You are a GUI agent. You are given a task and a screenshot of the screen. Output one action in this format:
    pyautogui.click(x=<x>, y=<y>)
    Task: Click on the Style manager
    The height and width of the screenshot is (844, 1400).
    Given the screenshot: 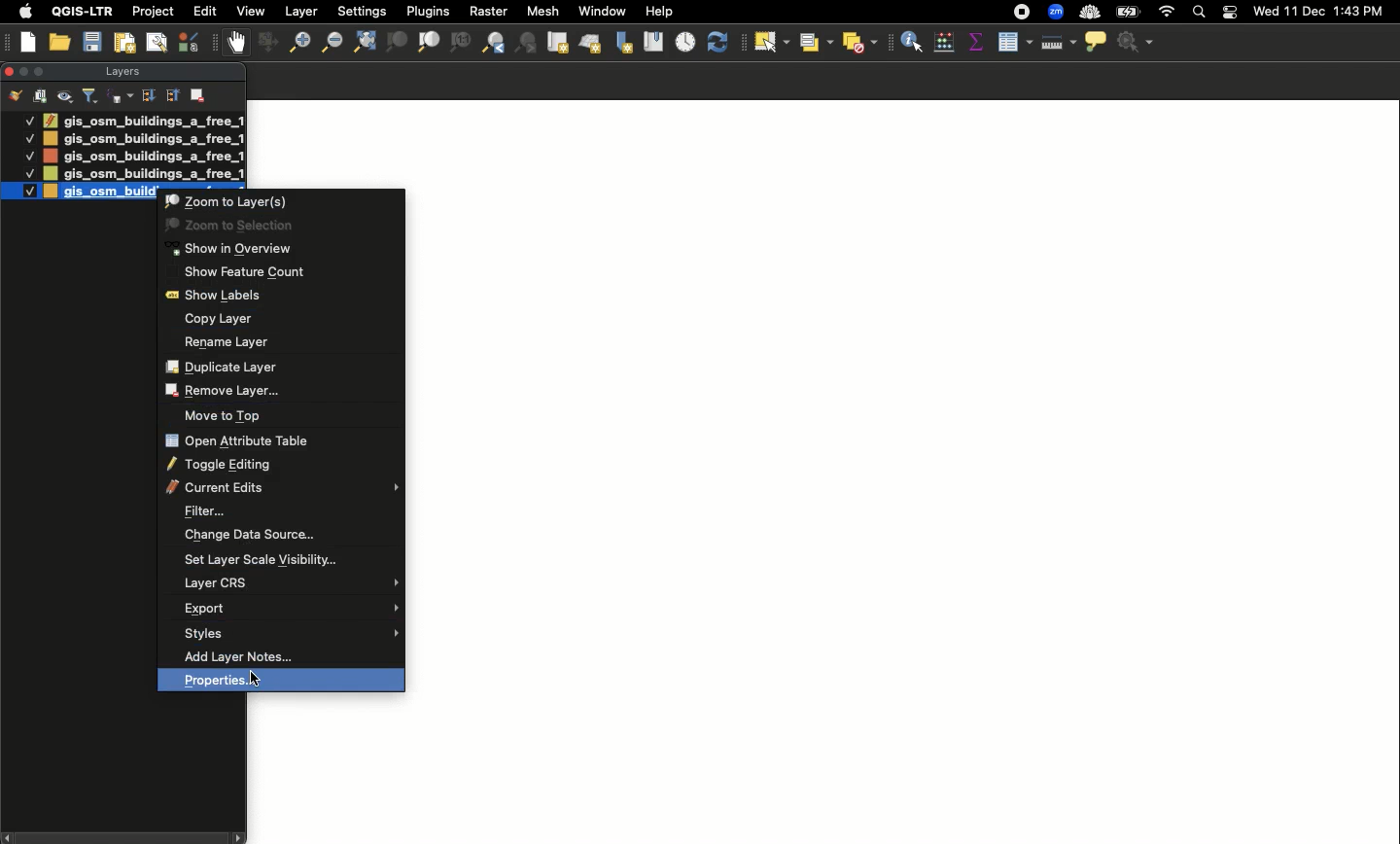 What is the action you would take?
    pyautogui.click(x=265, y=43)
    